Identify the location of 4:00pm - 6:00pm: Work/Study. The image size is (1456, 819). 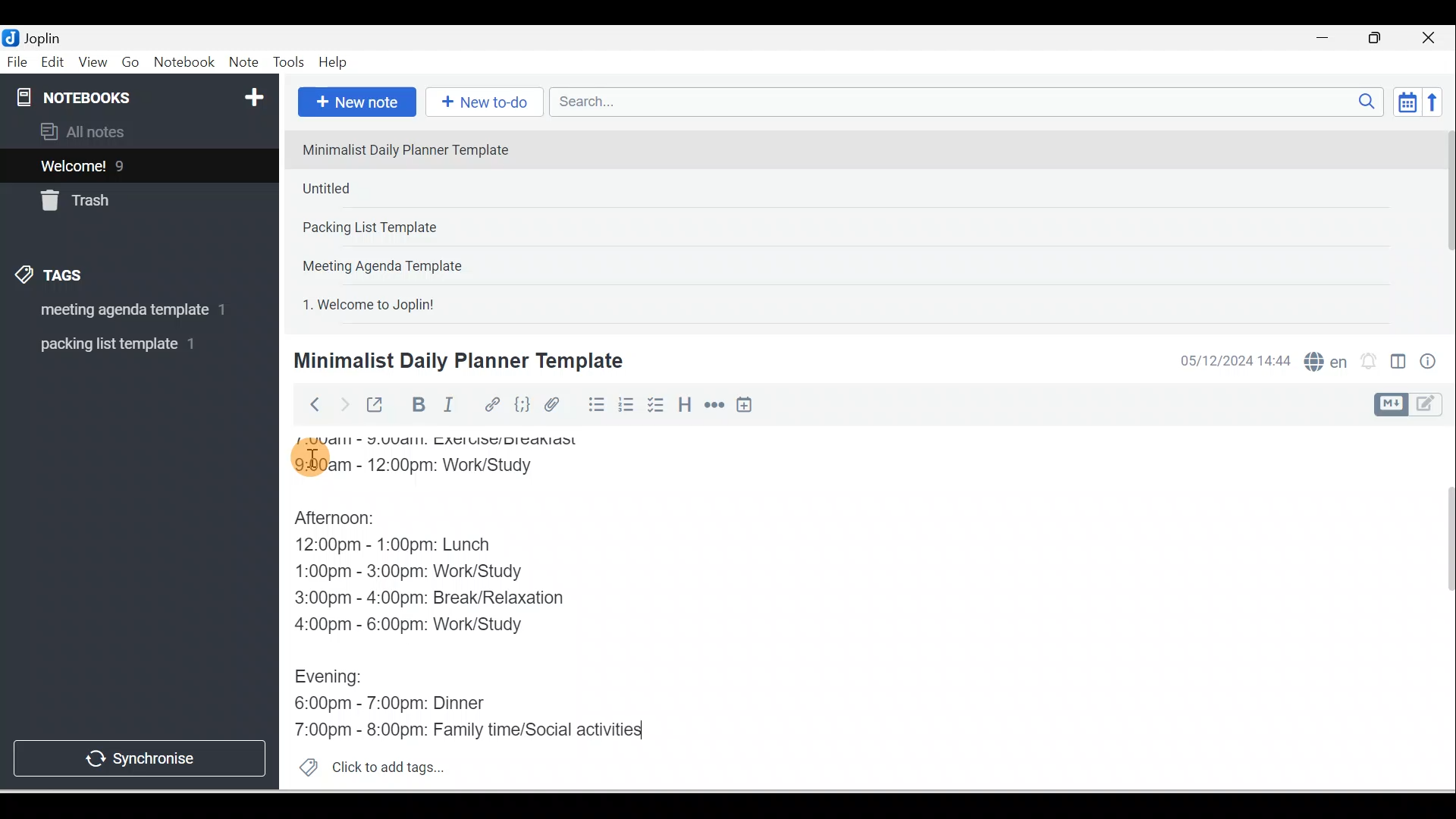
(413, 626).